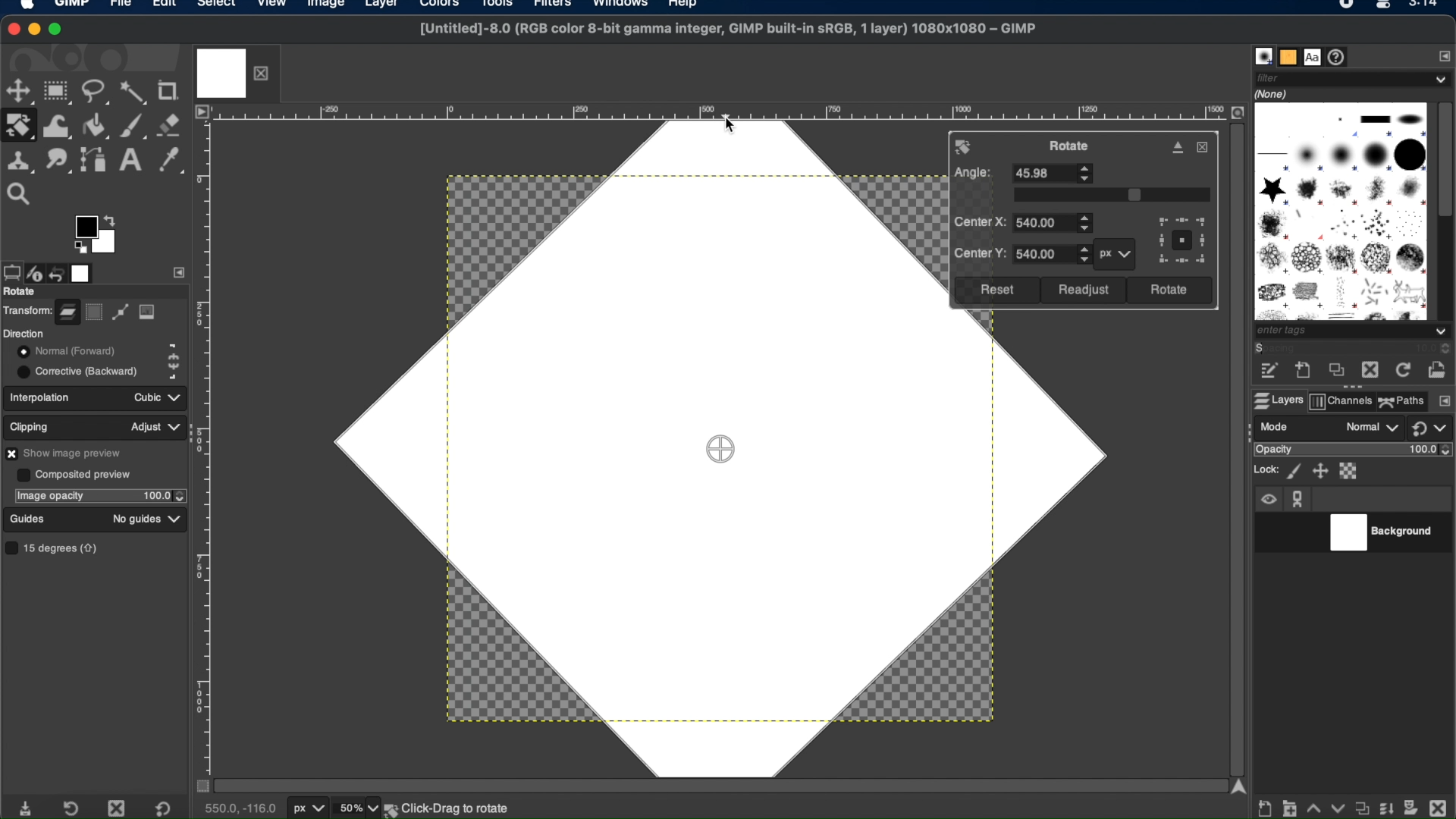  What do you see at coordinates (720, 114) in the screenshot?
I see `margin` at bounding box center [720, 114].